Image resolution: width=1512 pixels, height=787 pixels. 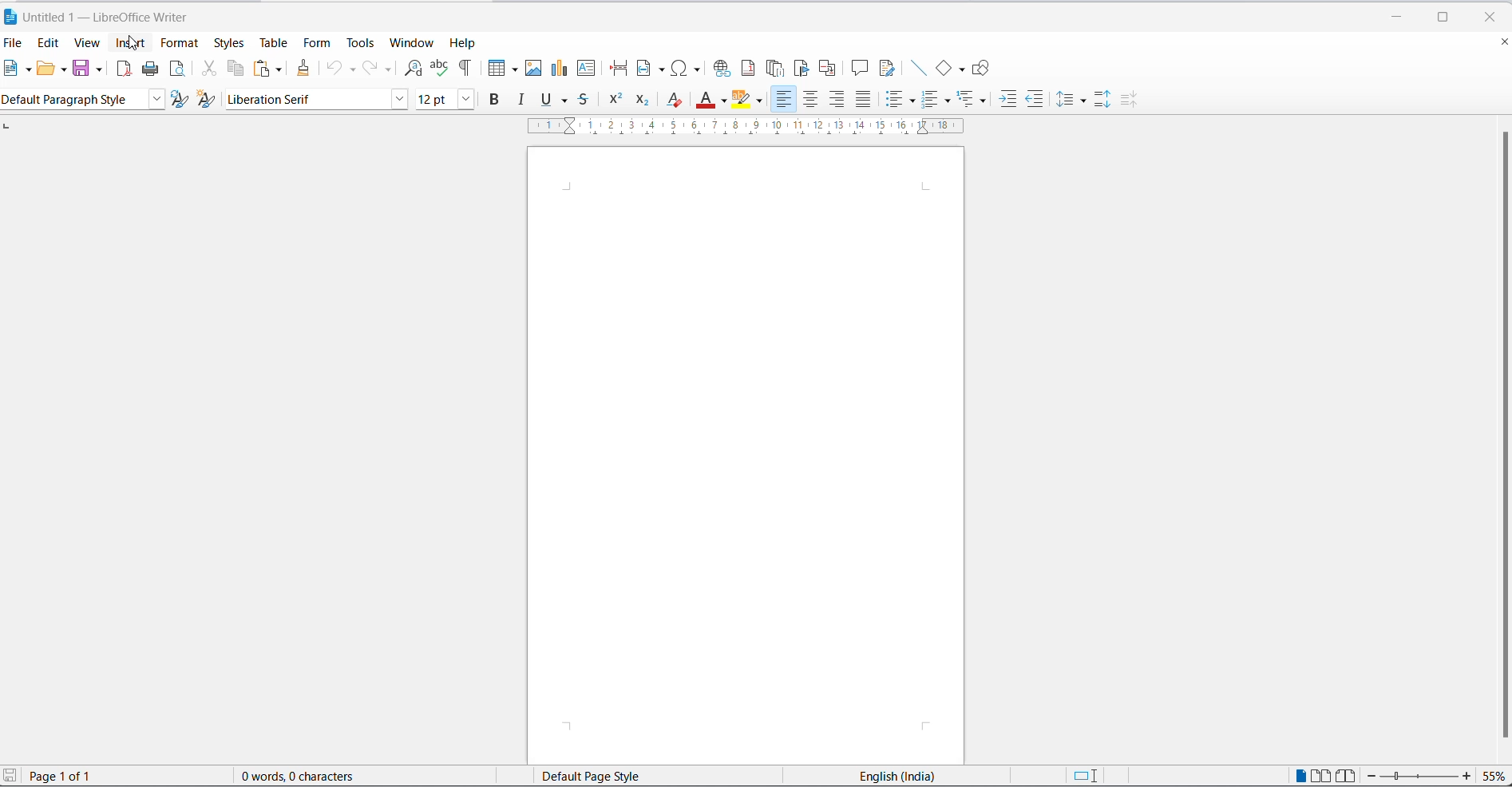 I want to click on update selected options, so click(x=182, y=100).